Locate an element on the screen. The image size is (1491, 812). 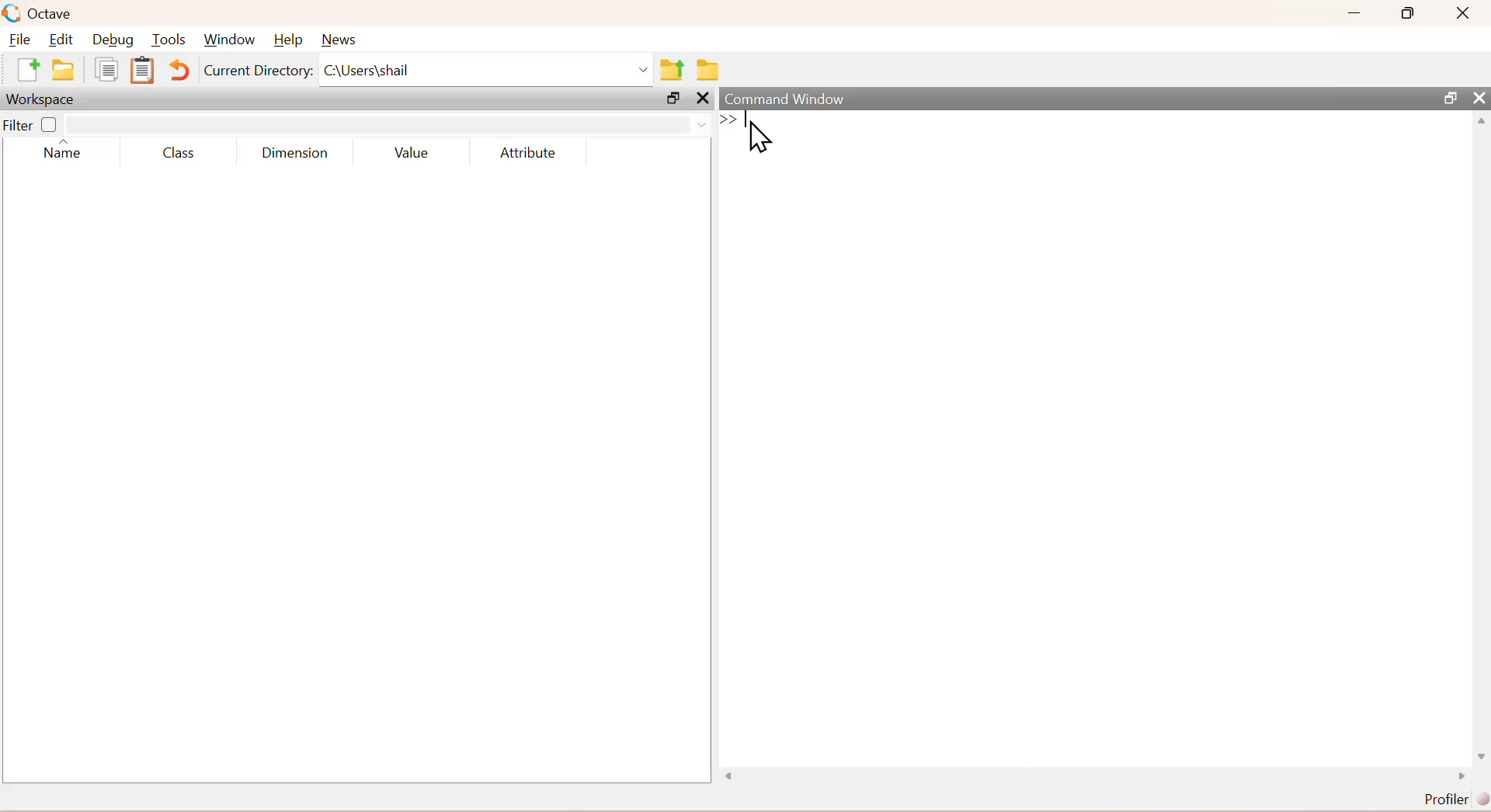
Debug is located at coordinates (116, 39).